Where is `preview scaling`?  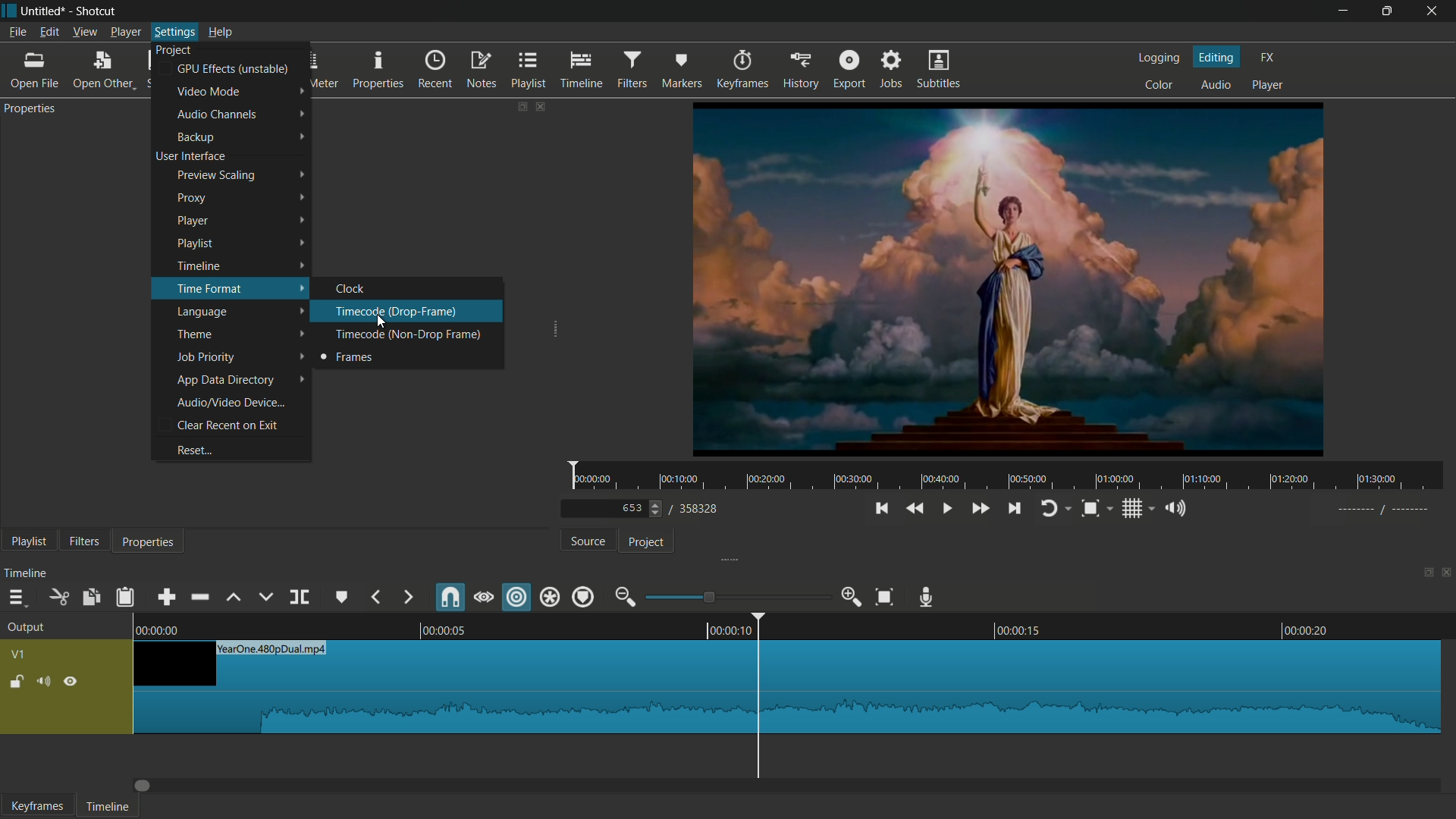
preview scaling is located at coordinates (215, 177).